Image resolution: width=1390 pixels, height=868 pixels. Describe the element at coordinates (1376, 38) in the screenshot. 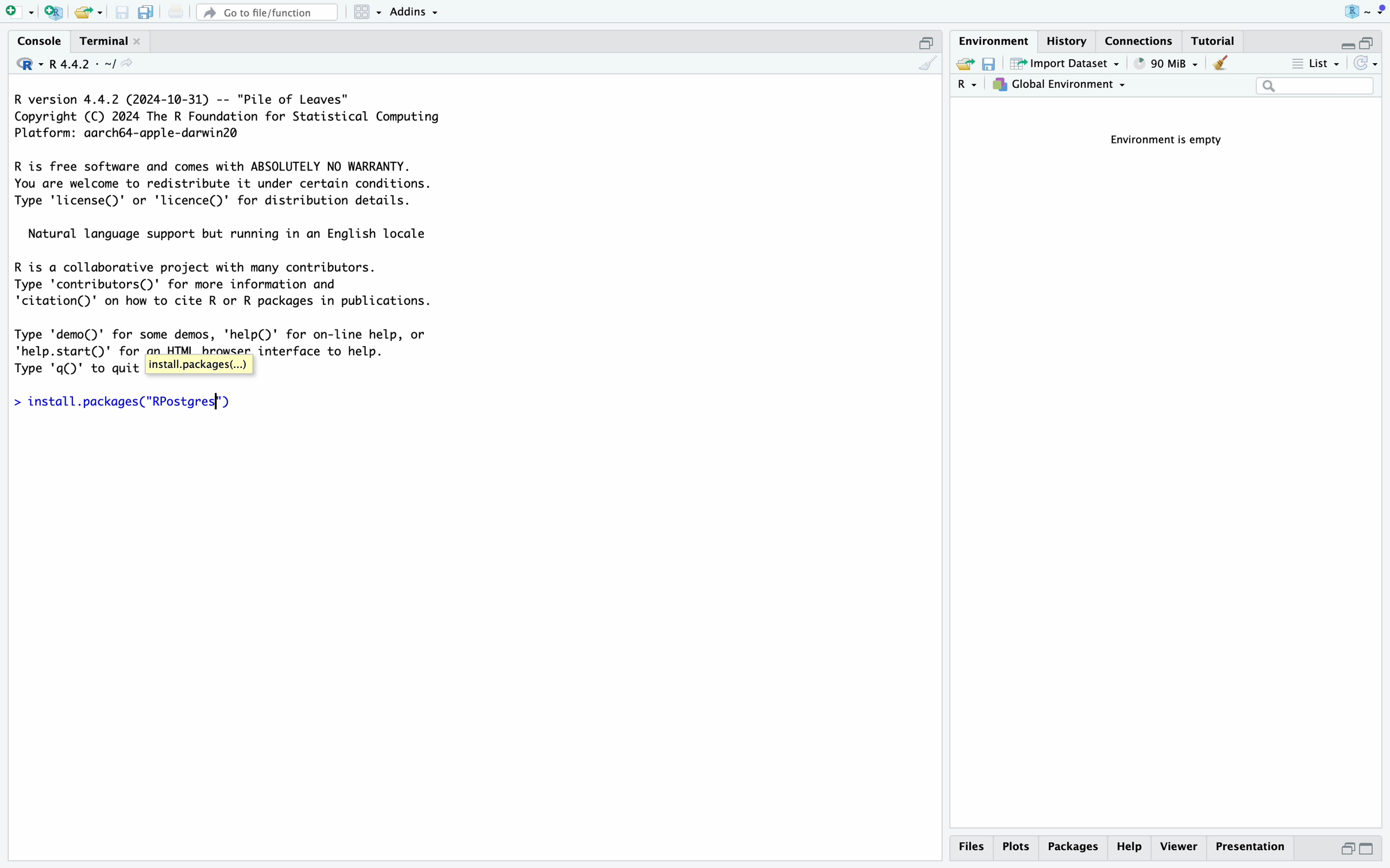

I see `maximize` at that location.